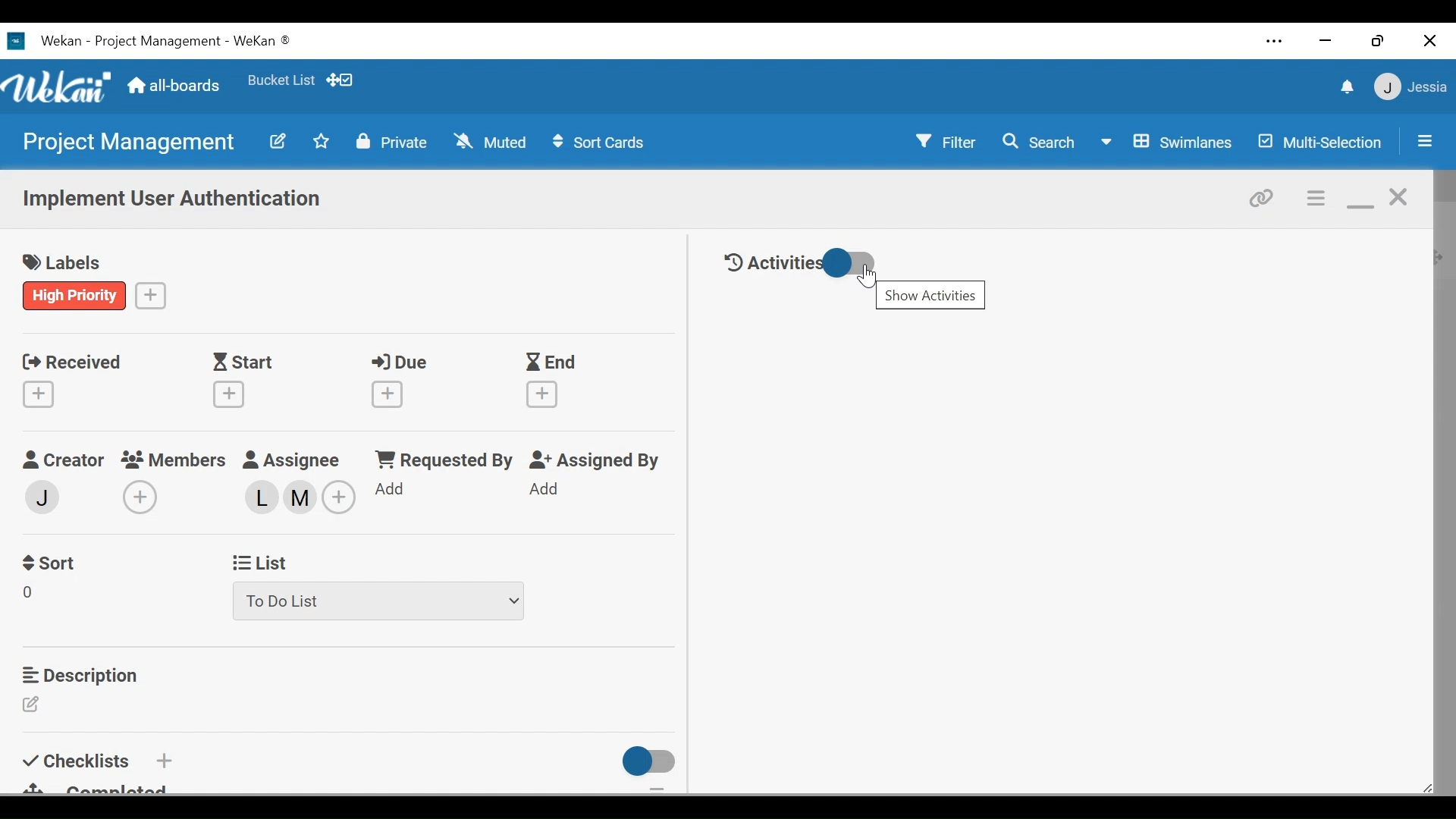 This screenshot has height=819, width=1456. What do you see at coordinates (548, 488) in the screenshot?
I see `Add` at bounding box center [548, 488].